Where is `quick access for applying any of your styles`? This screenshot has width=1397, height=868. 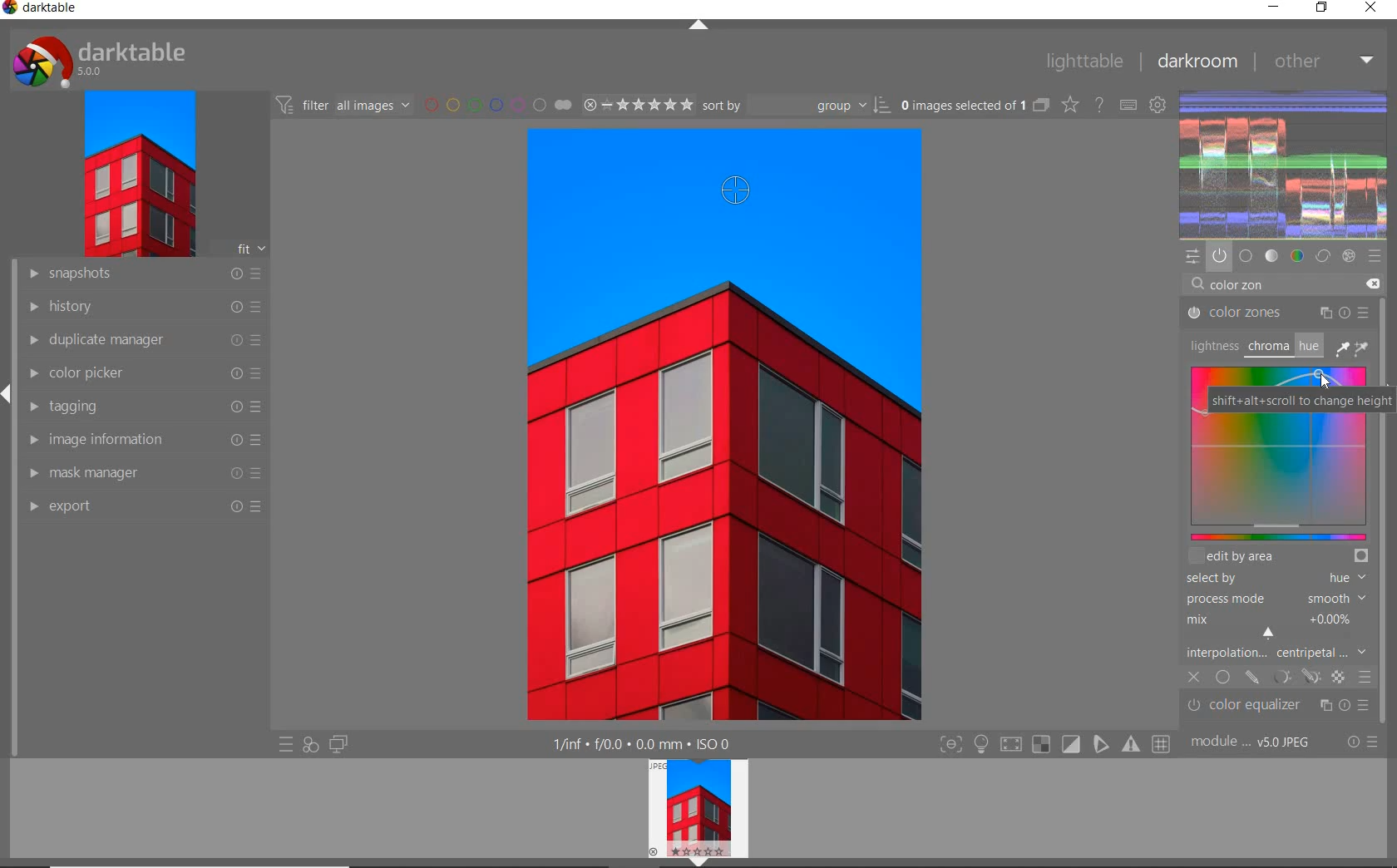 quick access for applying any of your styles is located at coordinates (311, 744).